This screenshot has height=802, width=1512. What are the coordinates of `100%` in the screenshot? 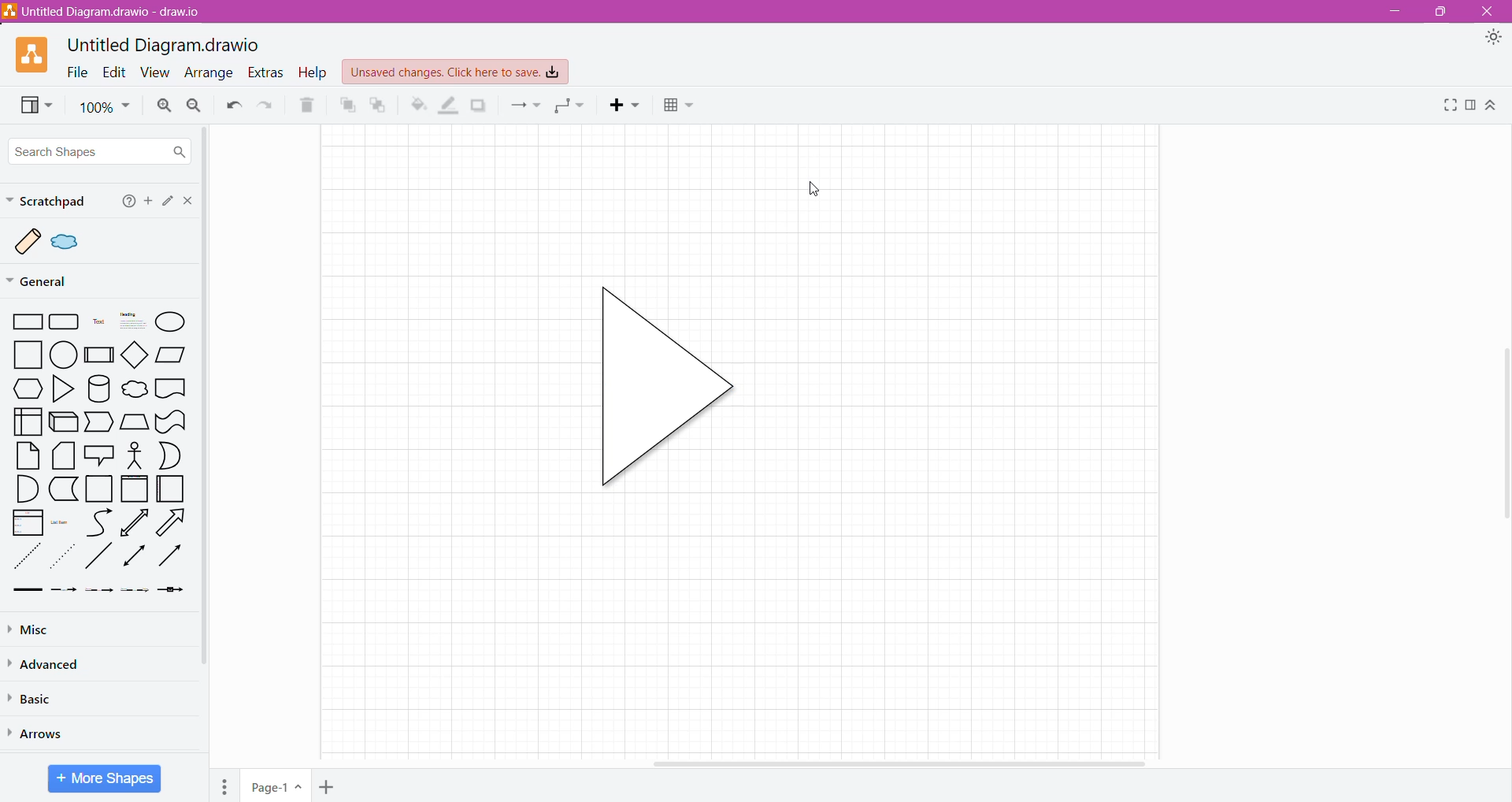 It's located at (104, 108).